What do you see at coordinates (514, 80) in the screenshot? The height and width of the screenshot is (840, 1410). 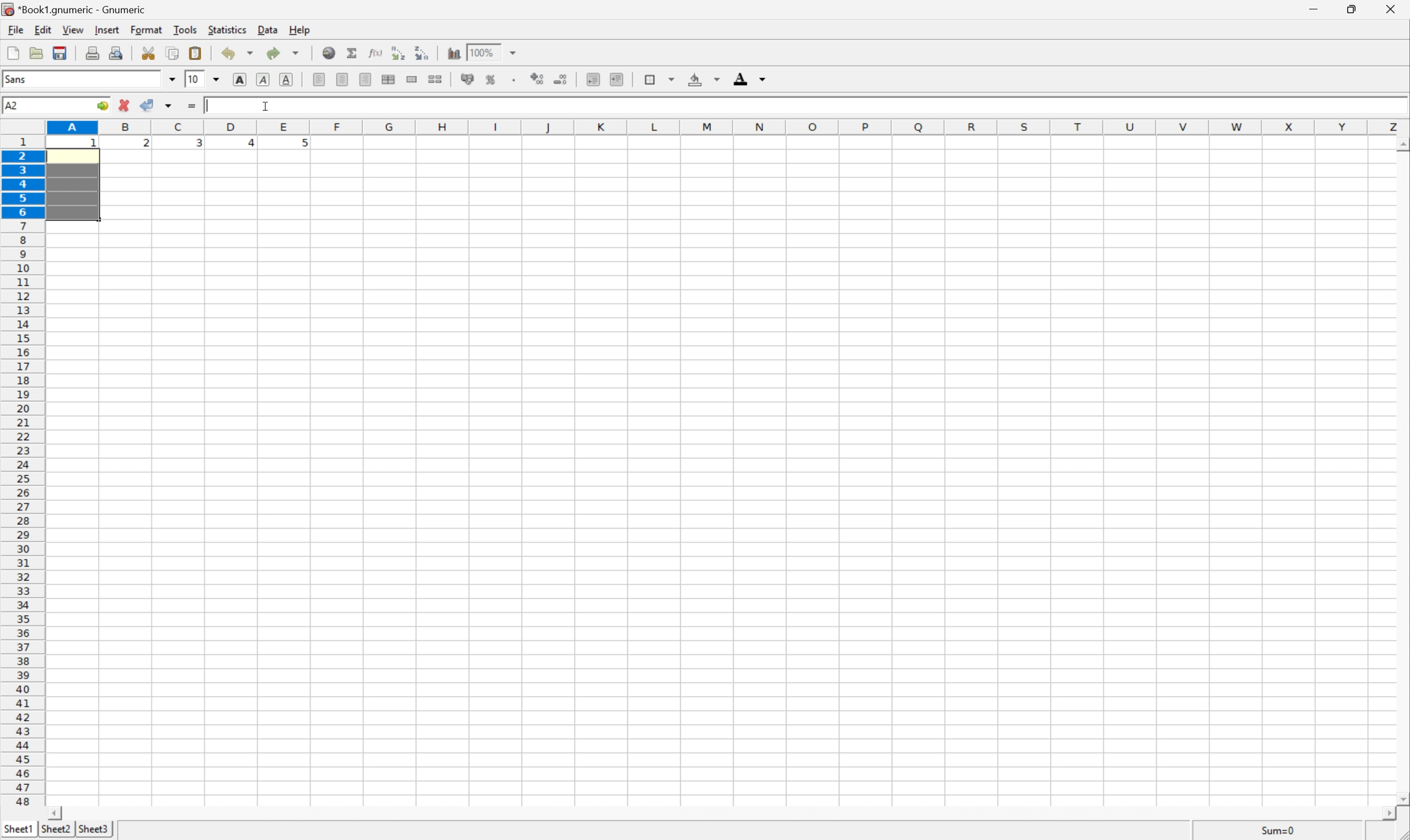 I see `Set the format of the selected cells to include a thousands separator` at bounding box center [514, 80].